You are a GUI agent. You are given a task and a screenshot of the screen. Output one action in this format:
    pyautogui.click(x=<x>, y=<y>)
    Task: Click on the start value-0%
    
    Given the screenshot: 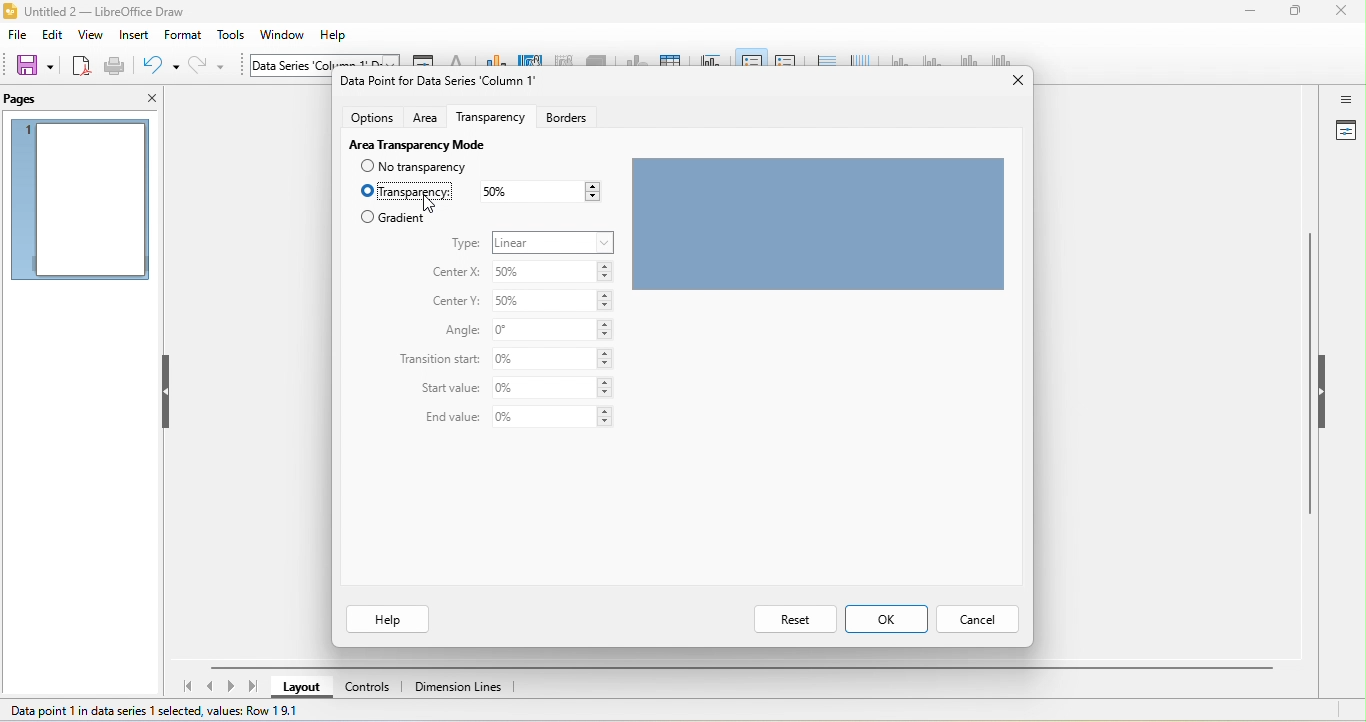 What is the action you would take?
    pyautogui.click(x=551, y=387)
    